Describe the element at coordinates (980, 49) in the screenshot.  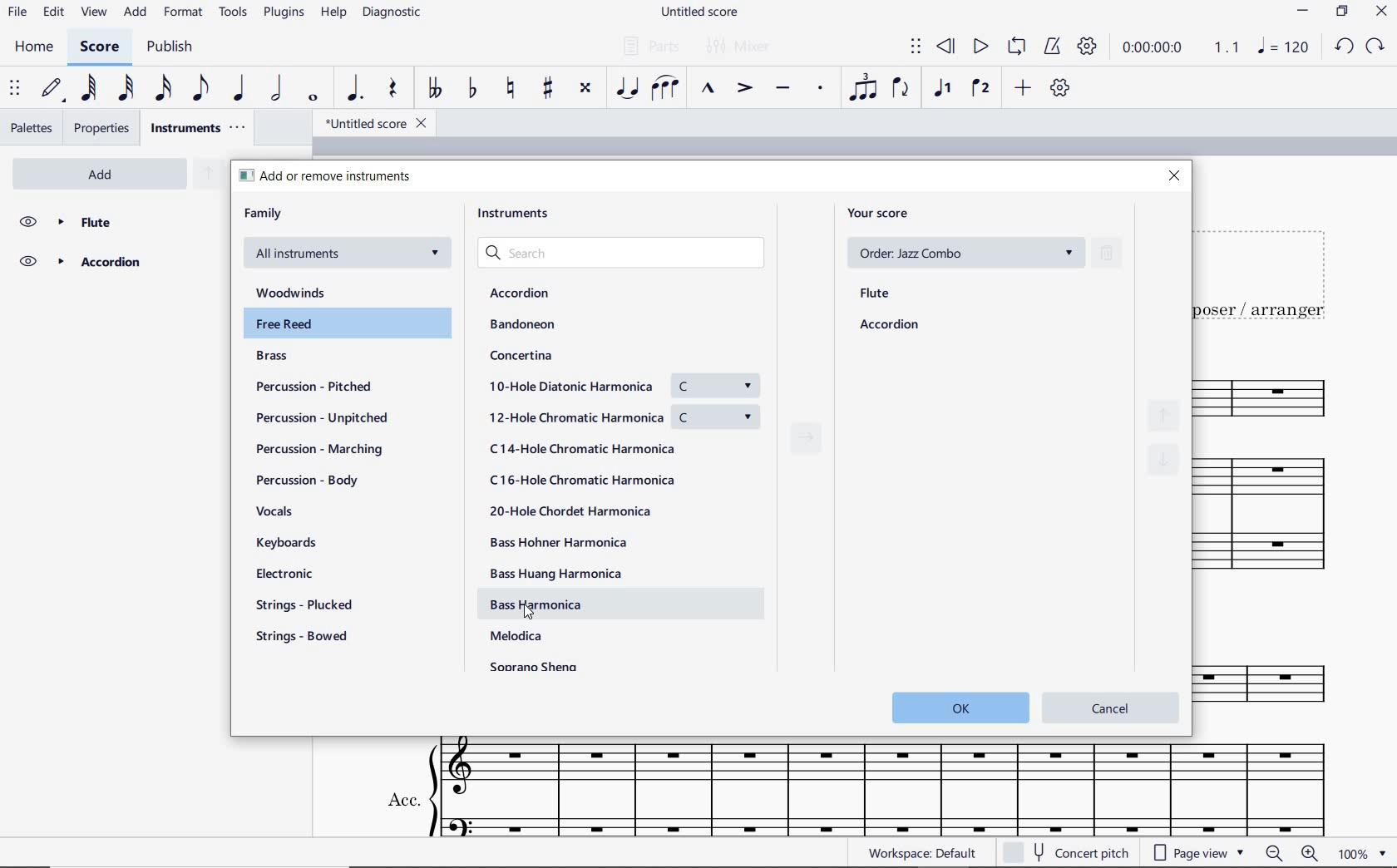
I see `play` at that location.